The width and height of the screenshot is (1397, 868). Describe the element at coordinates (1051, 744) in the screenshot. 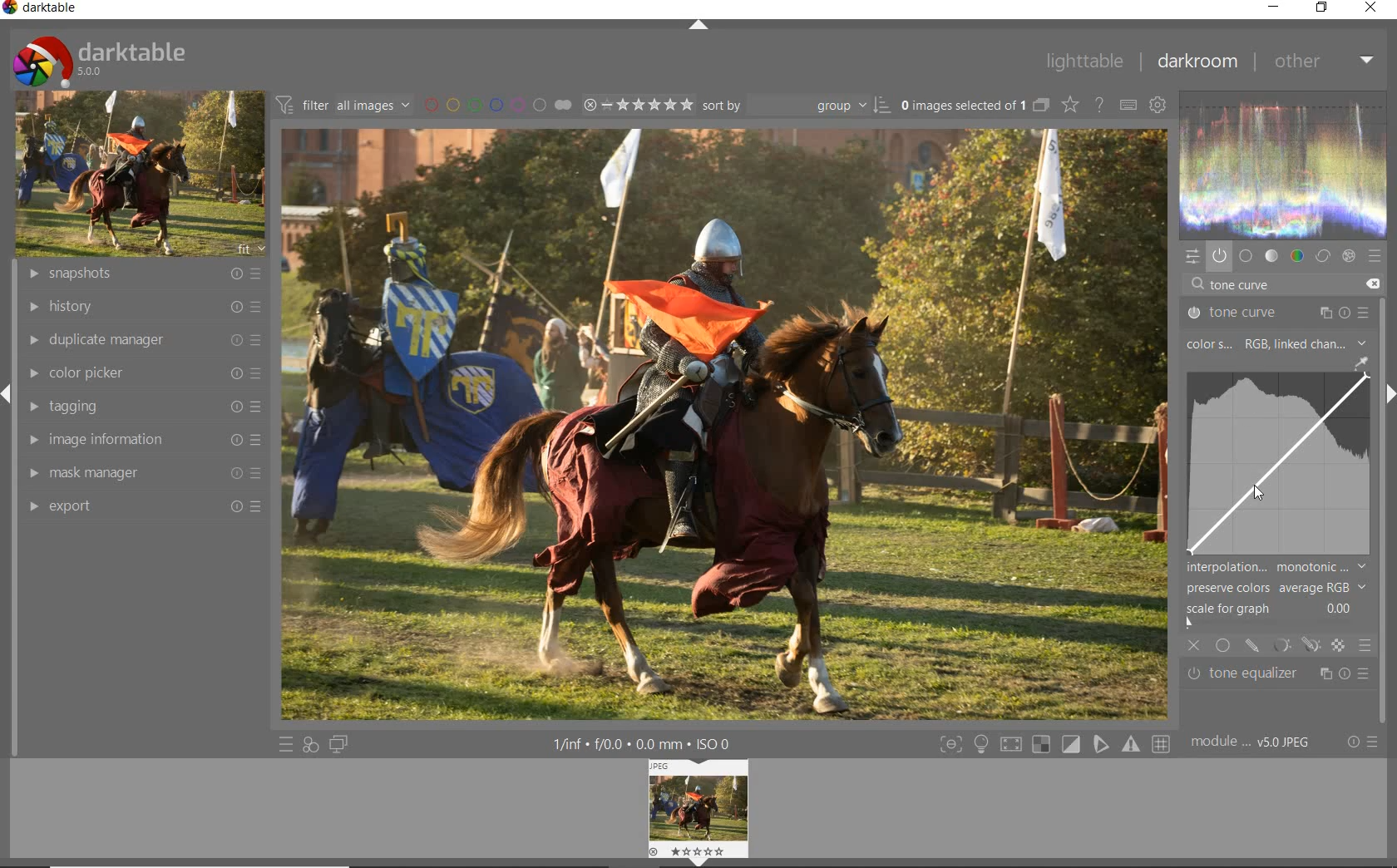

I see `toggle modes` at that location.